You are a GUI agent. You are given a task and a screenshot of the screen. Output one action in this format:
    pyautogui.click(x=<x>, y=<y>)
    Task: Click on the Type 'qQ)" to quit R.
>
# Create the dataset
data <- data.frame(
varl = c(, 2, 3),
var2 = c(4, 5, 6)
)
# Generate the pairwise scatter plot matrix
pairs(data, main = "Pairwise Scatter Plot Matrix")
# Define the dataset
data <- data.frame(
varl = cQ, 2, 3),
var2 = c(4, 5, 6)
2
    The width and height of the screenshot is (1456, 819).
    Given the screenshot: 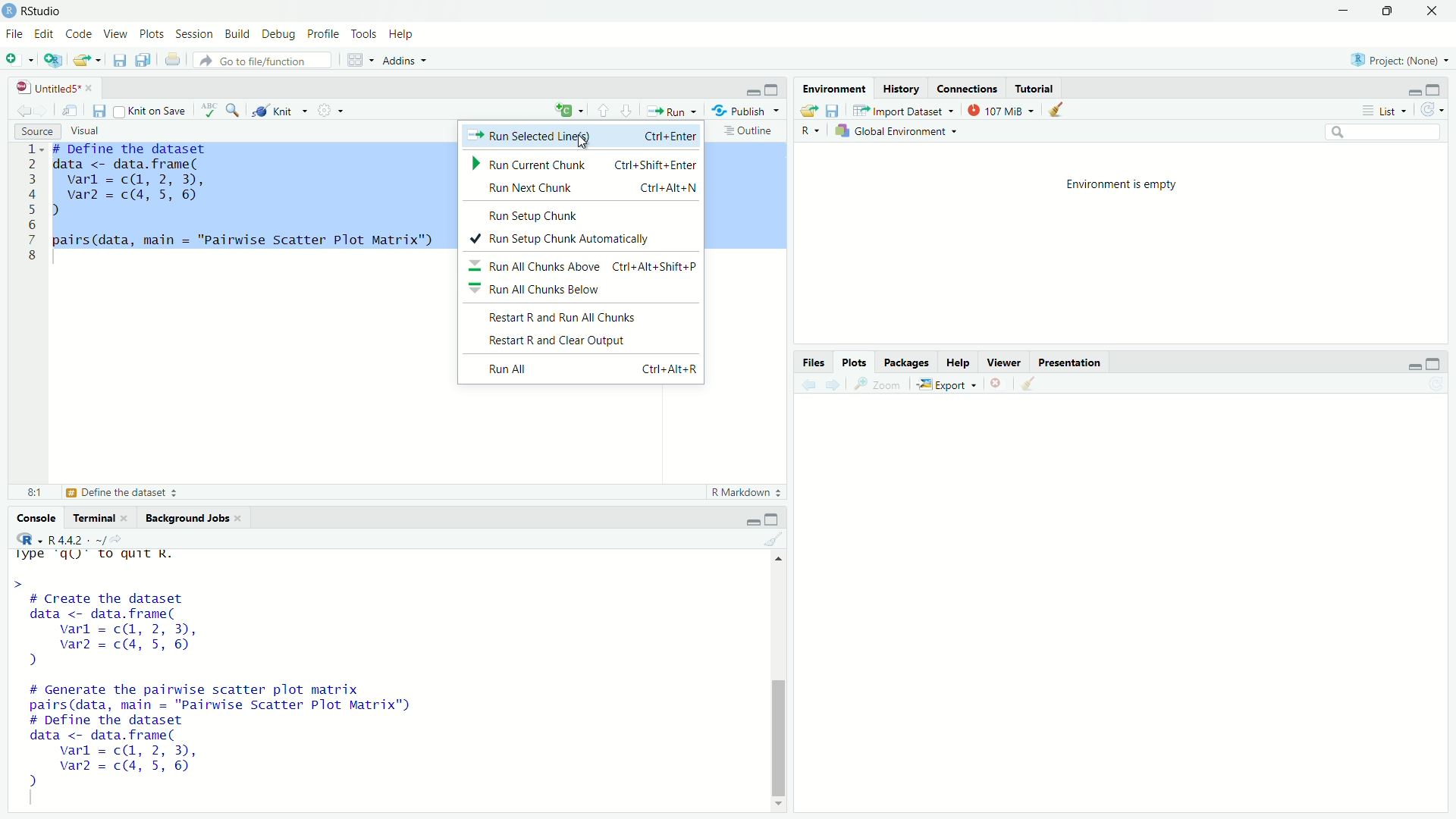 What is the action you would take?
    pyautogui.click(x=265, y=674)
    